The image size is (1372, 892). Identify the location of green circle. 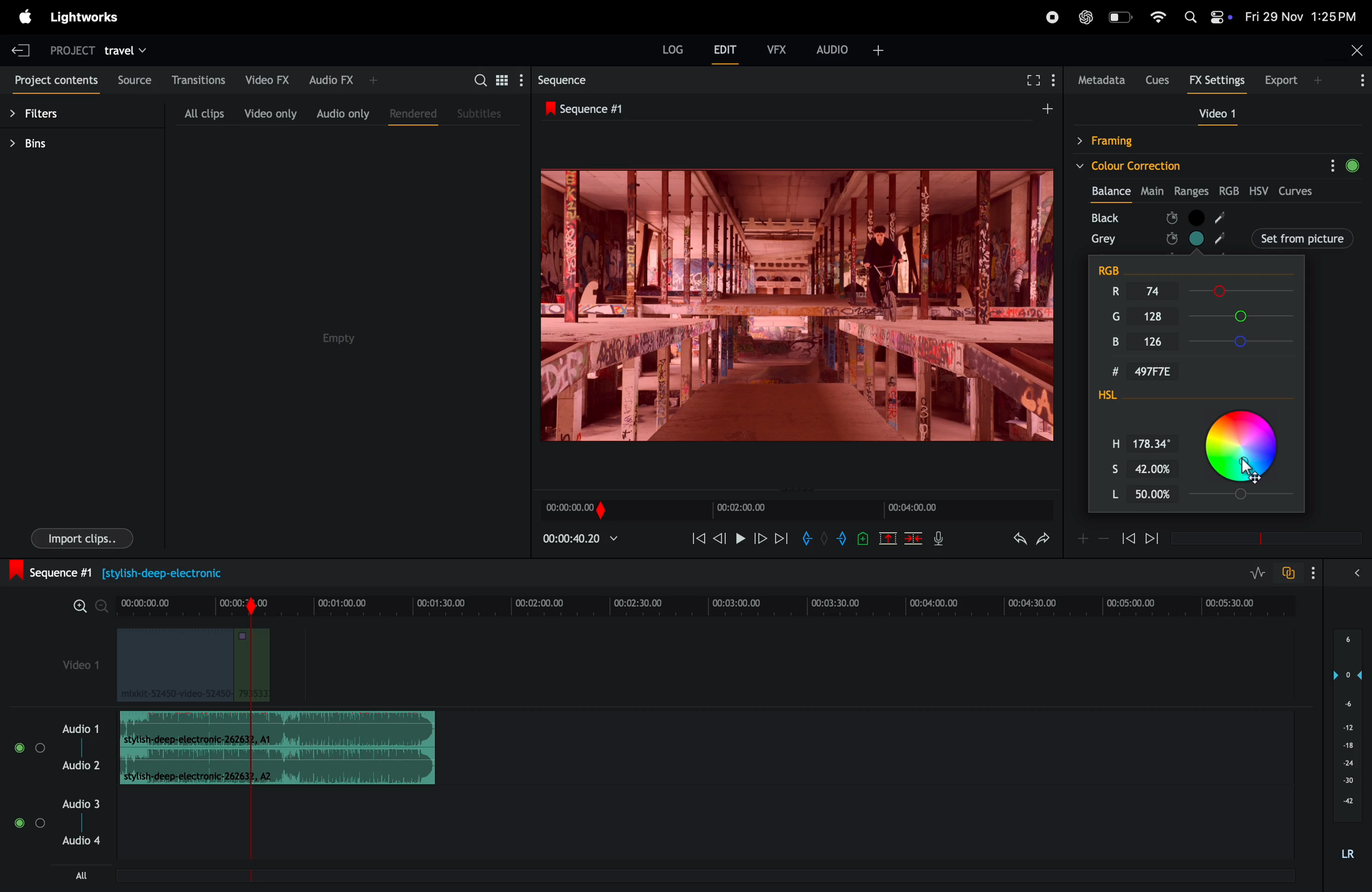
(1358, 164).